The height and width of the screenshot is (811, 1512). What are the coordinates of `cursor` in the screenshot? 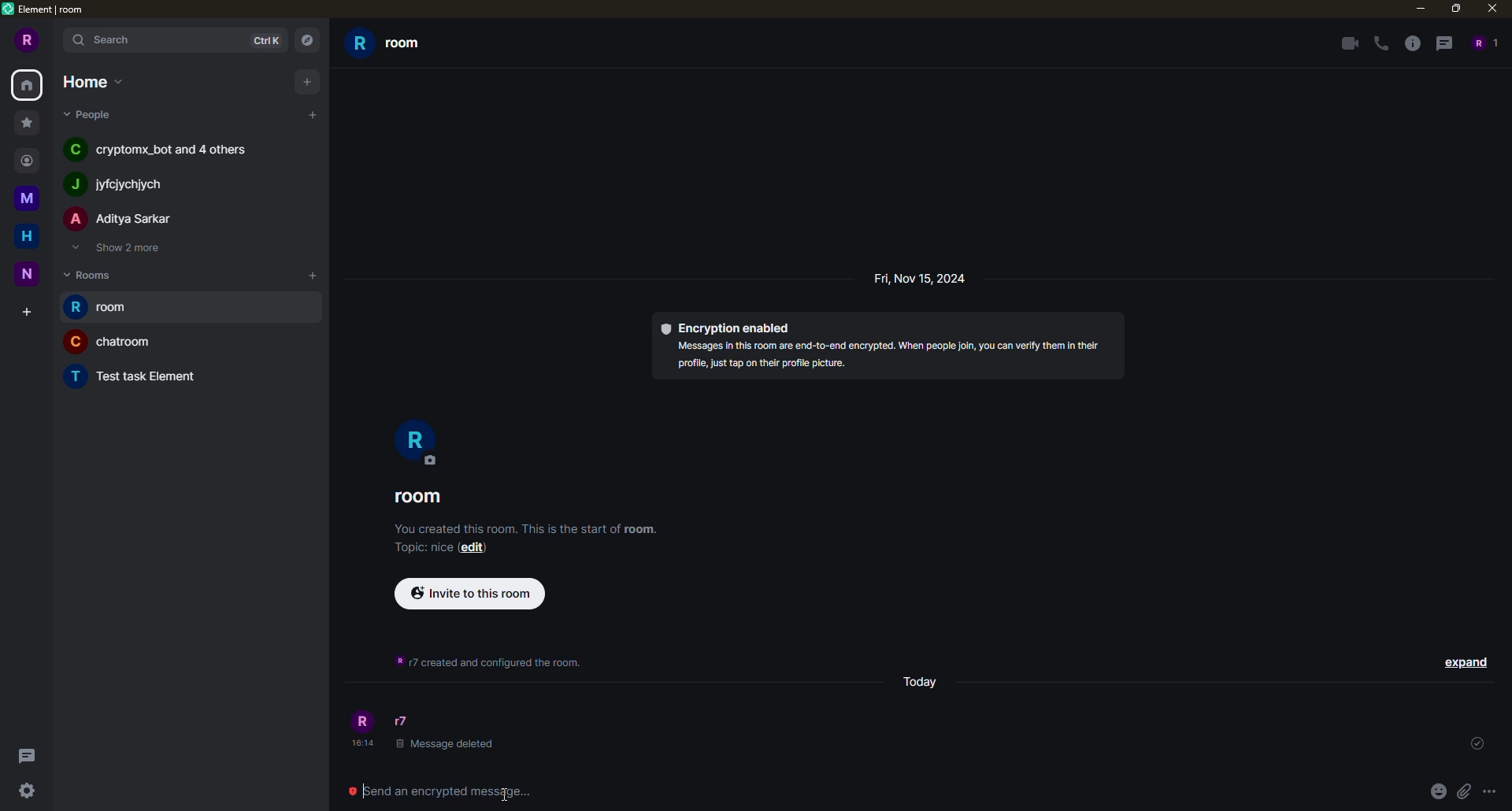 It's located at (504, 791).